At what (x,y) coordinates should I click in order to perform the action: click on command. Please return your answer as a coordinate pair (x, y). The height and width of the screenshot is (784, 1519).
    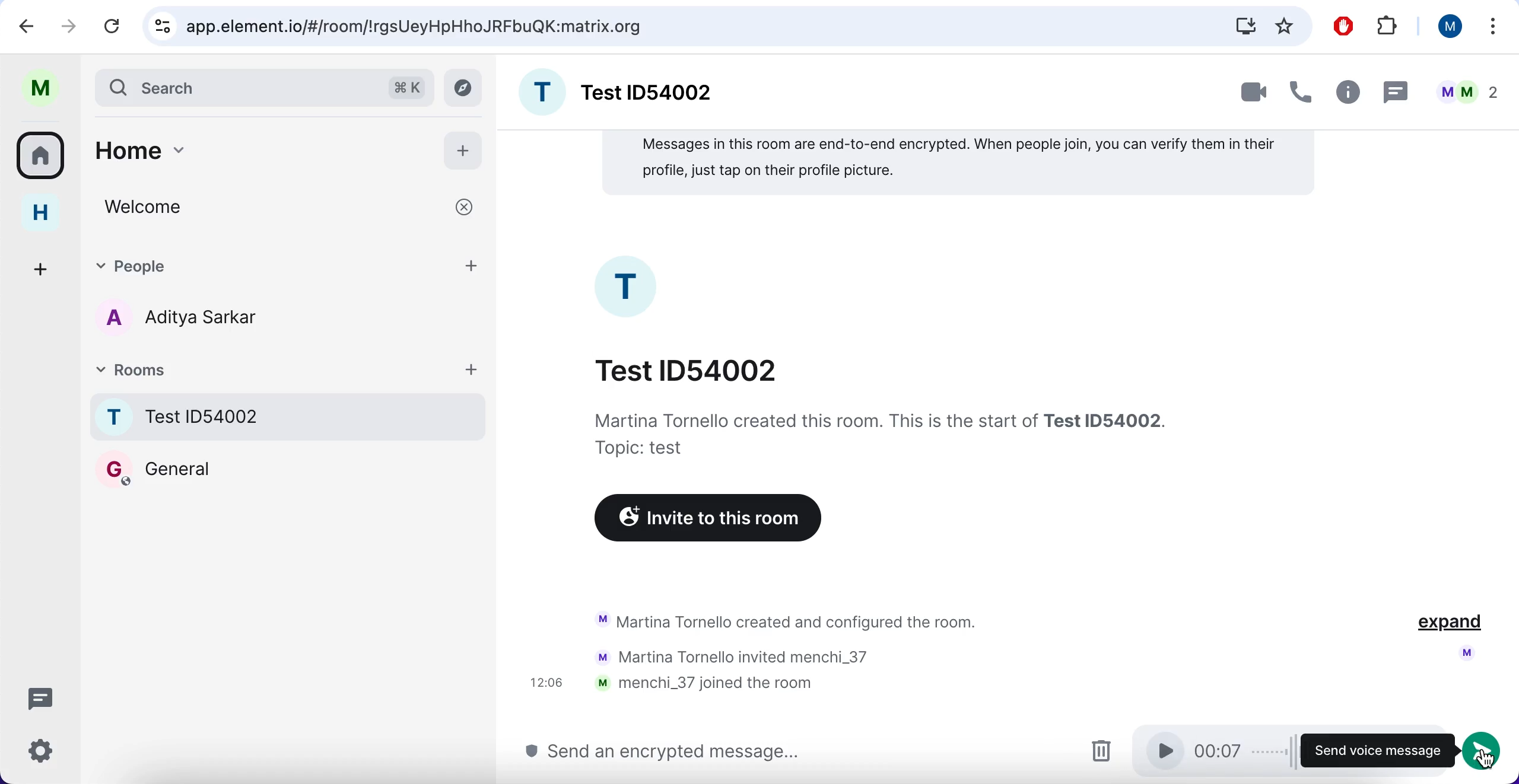
    Looking at the image, I should click on (406, 85).